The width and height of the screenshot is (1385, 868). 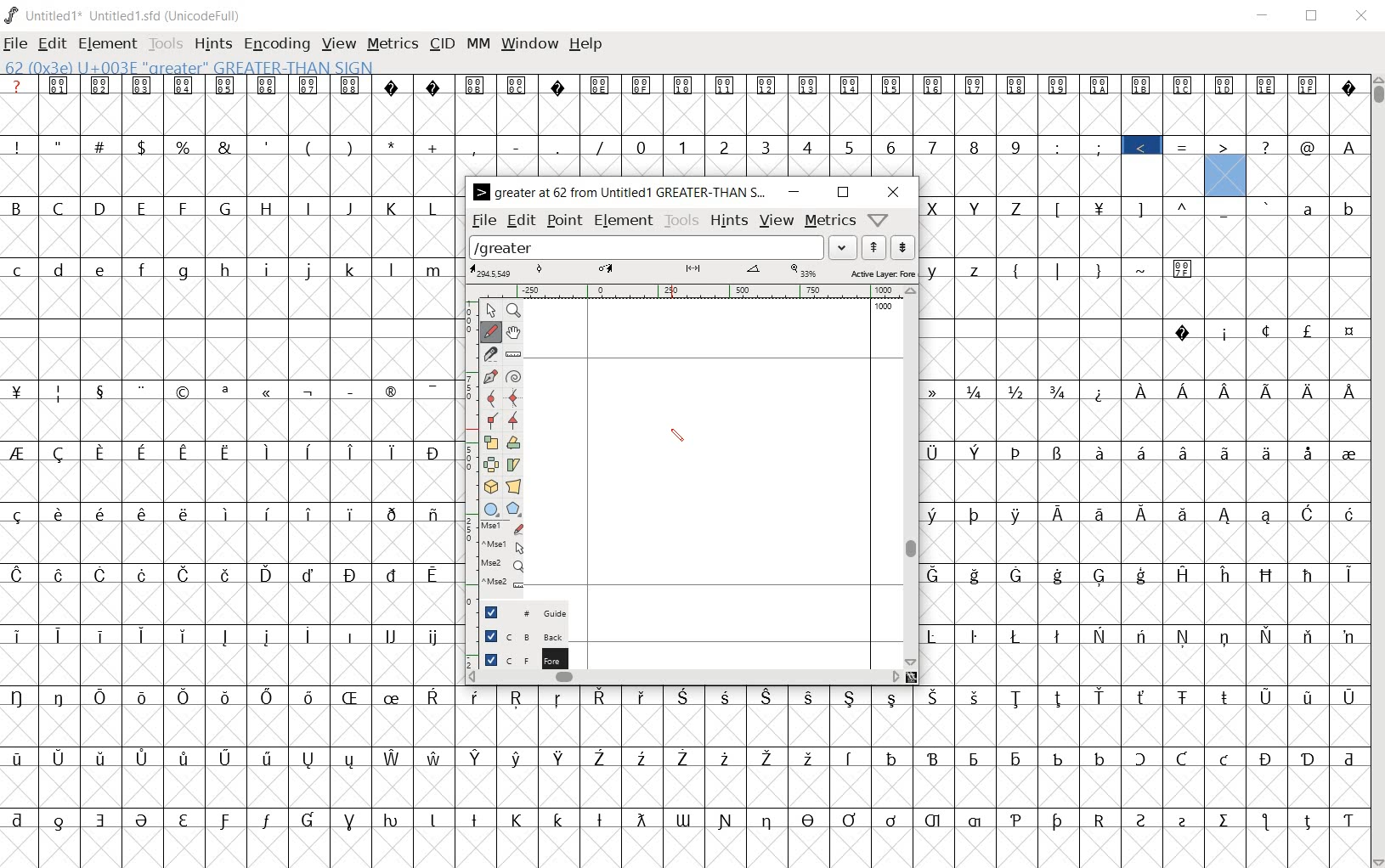 I want to click on glyps, so click(x=1310, y=157).